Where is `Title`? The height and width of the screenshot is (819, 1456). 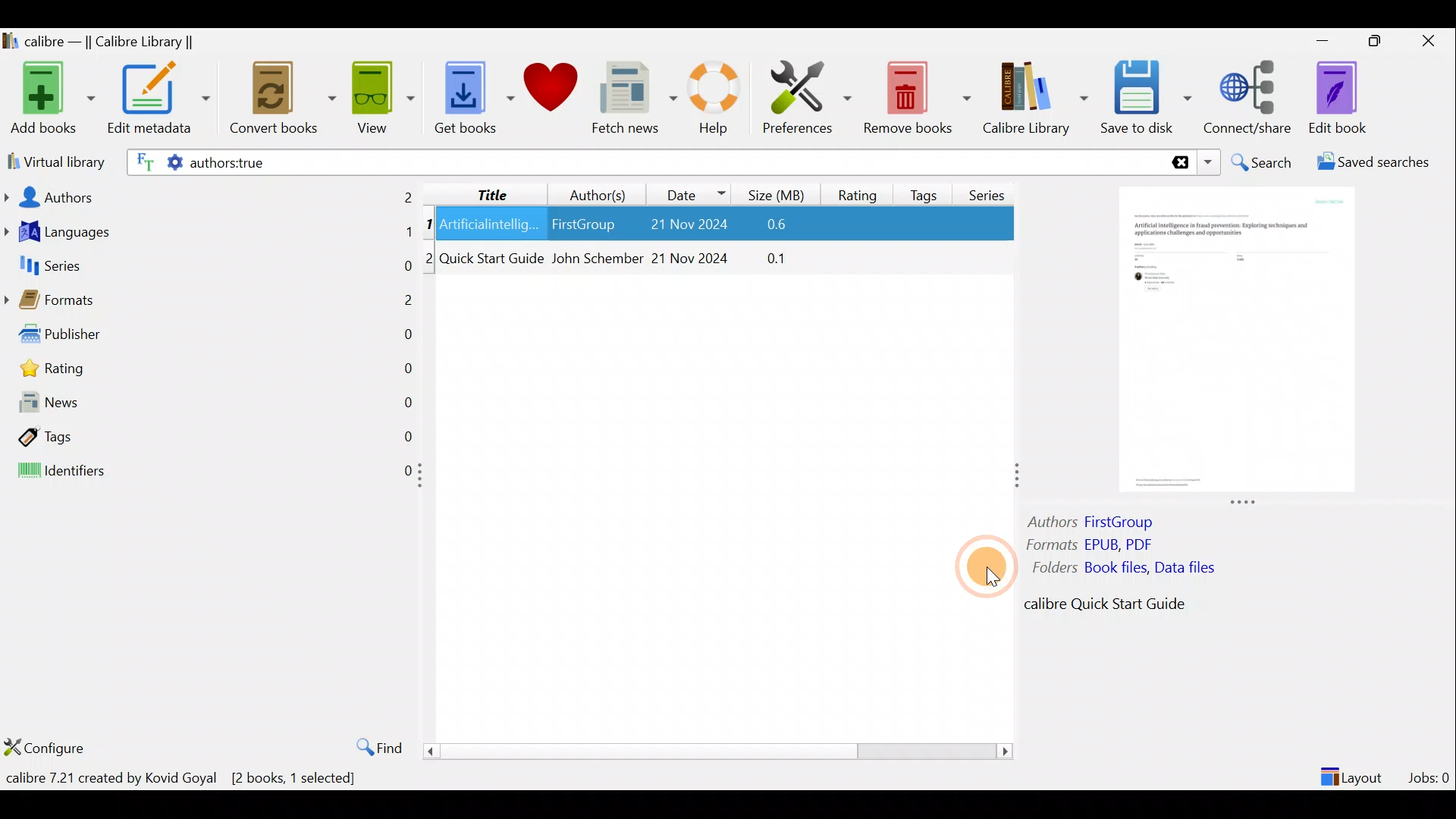 Title is located at coordinates (480, 192).